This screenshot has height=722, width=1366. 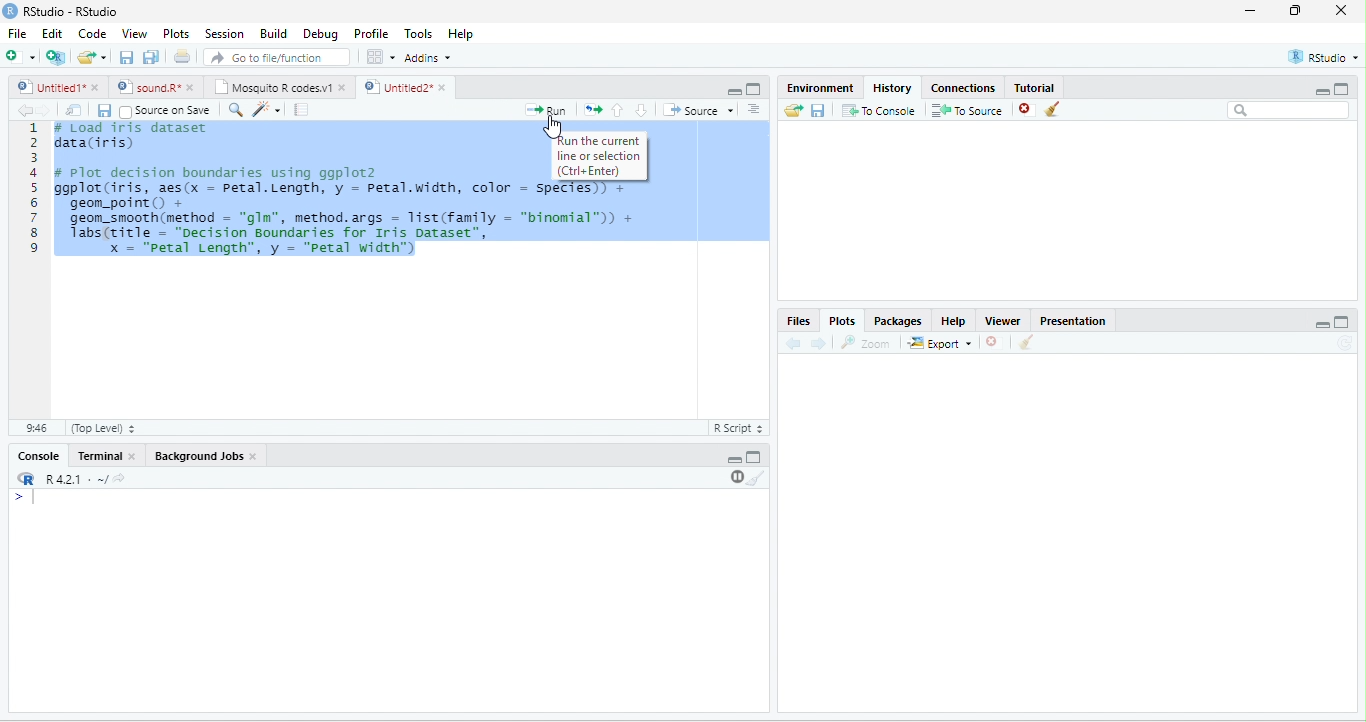 I want to click on new file, so click(x=20, y=56).